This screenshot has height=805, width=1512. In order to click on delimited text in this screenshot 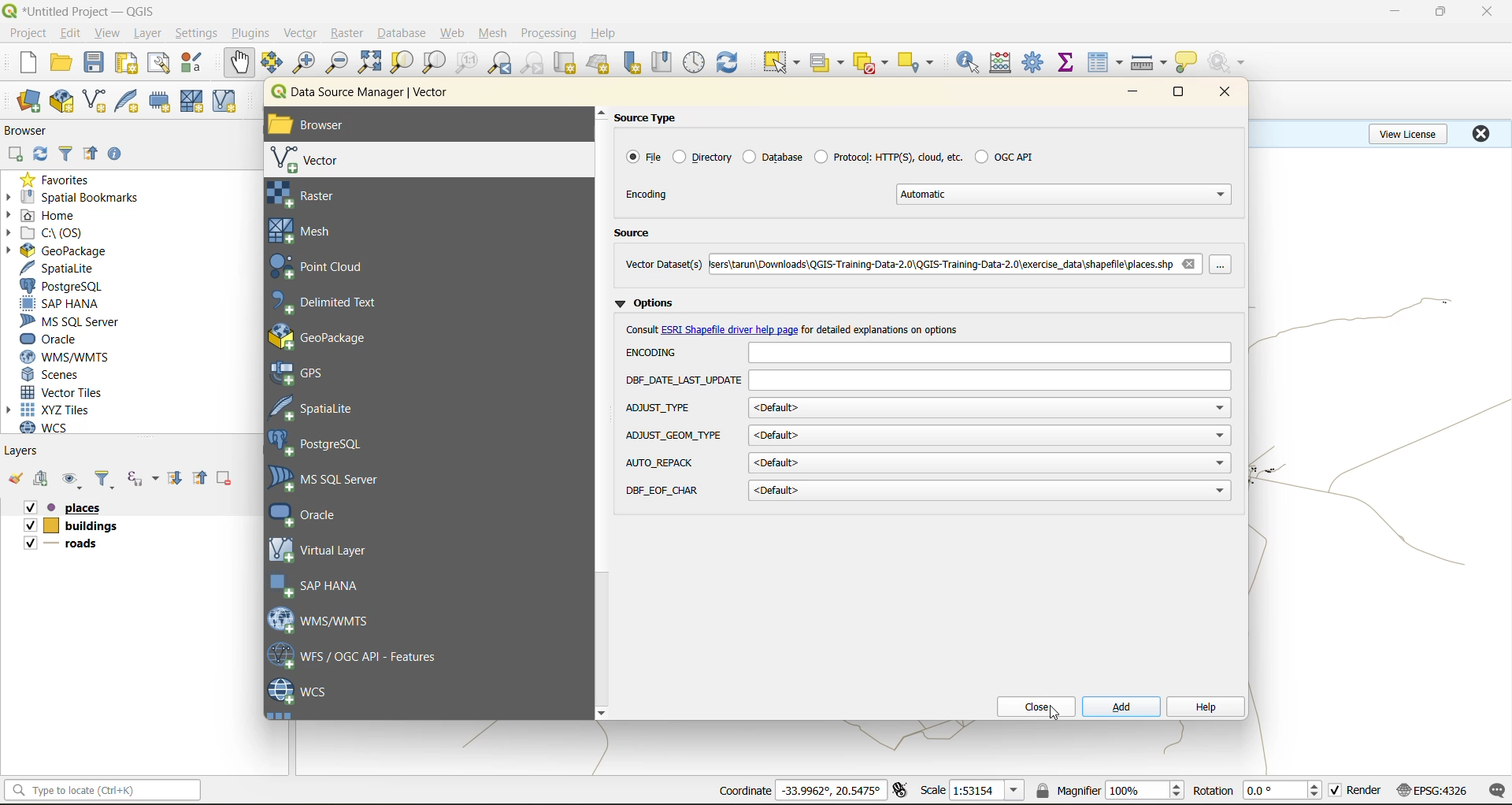, I will do `click(333, 302)`.